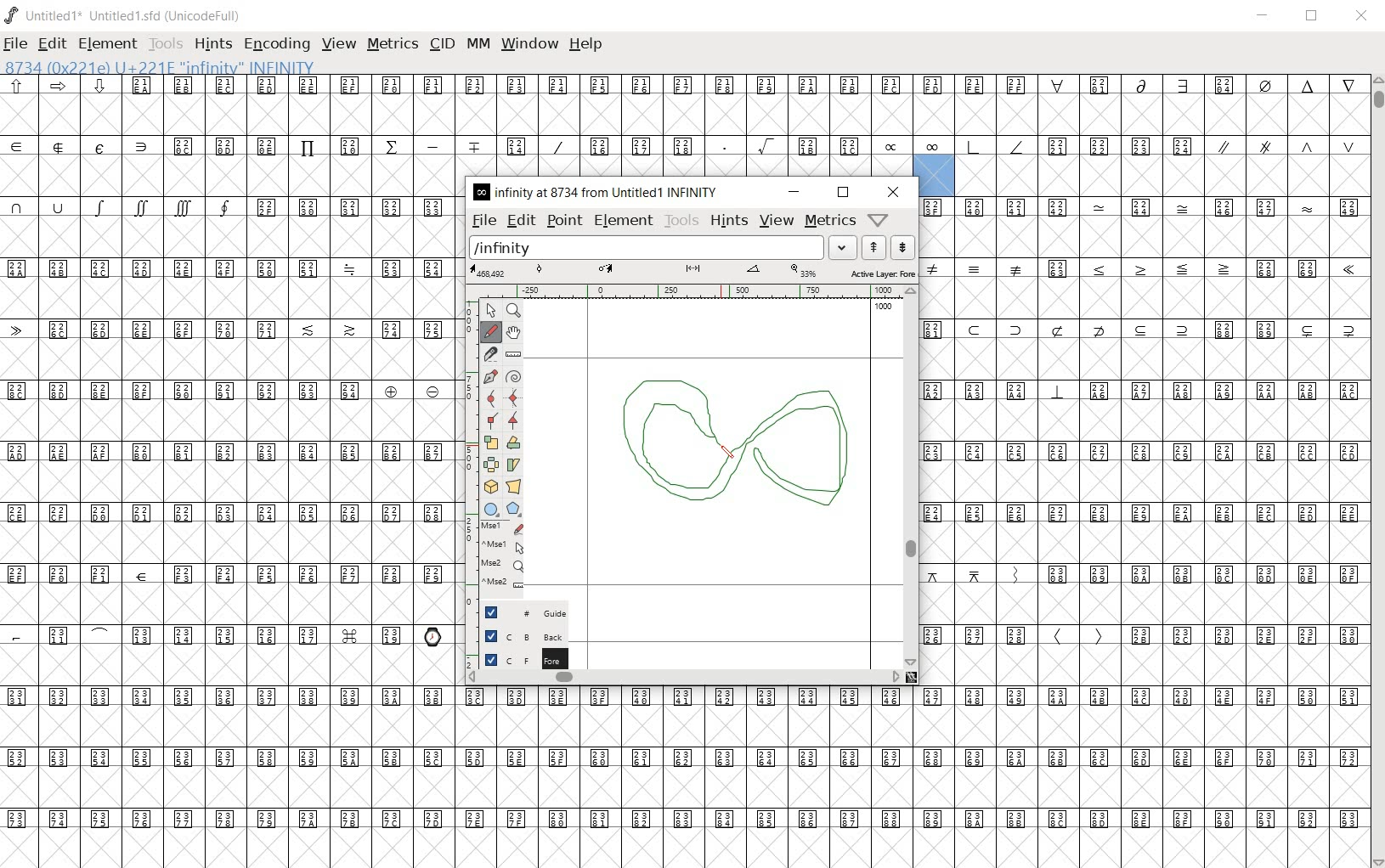  Describe the element at coordinates (685, 679) in the screenshot. I see `scrollbar` at that location.